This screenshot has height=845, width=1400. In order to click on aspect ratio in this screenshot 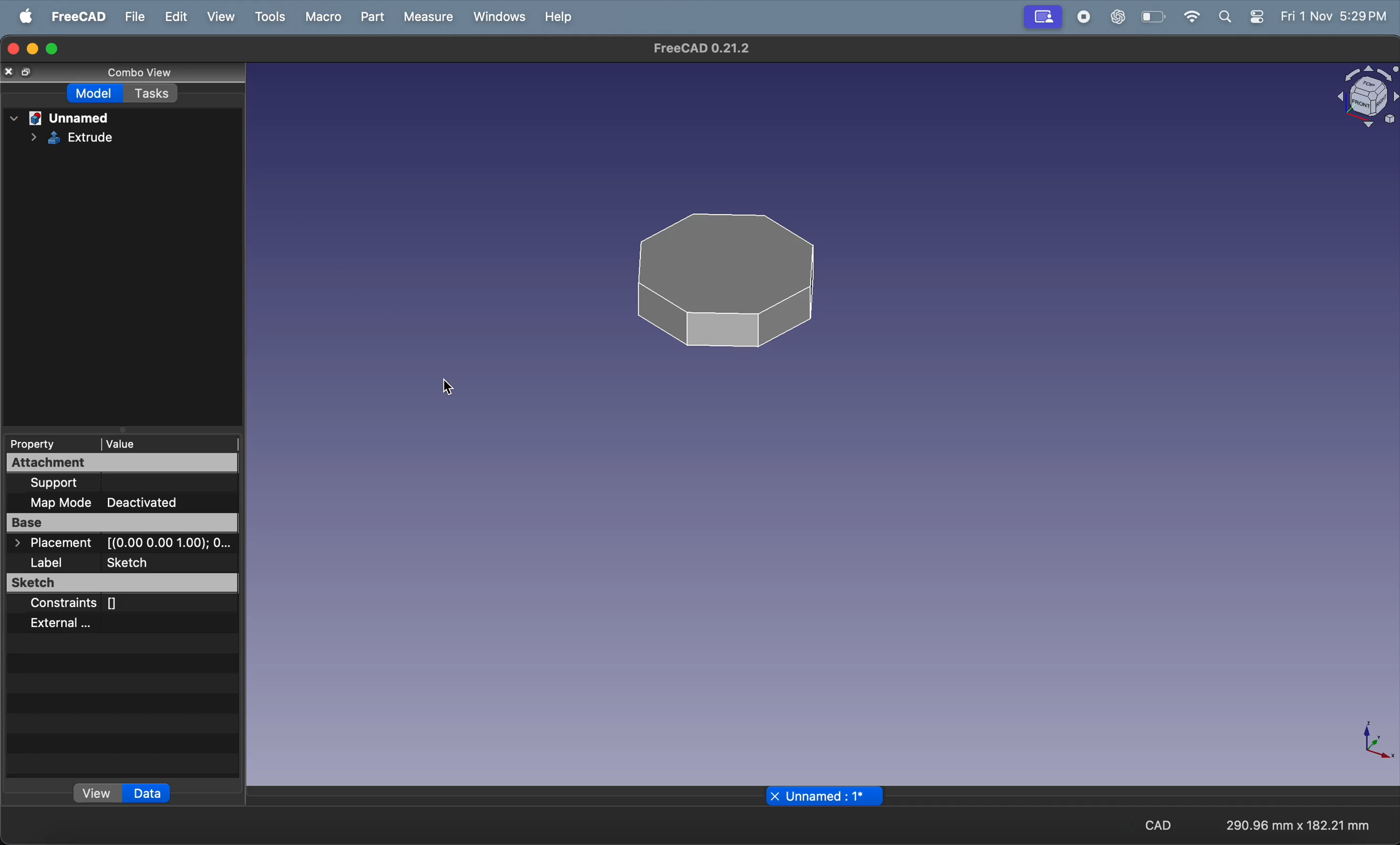, I will do `click(1301, 824)`.